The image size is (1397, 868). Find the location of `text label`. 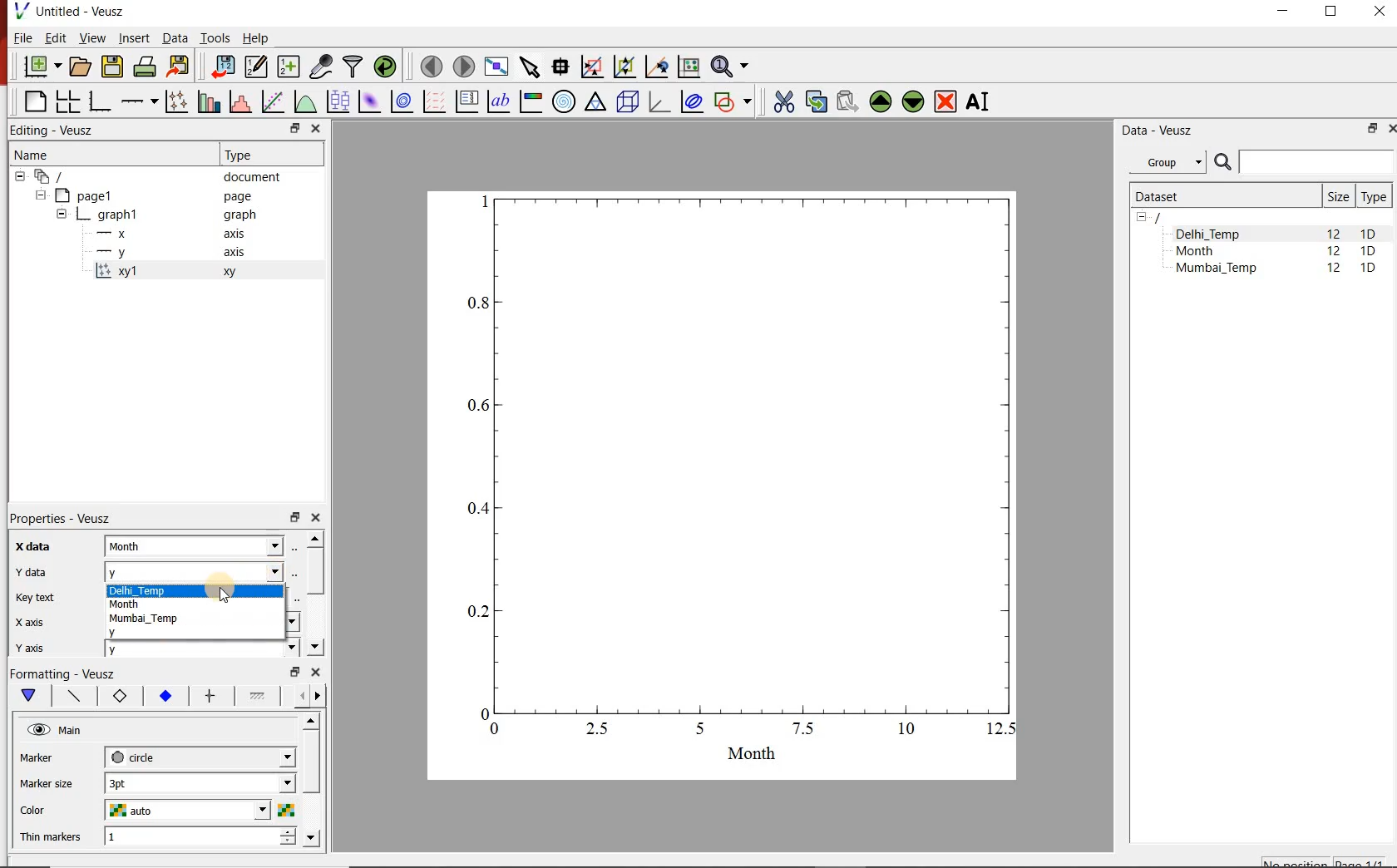

text label is located at coordinates (498, 101).